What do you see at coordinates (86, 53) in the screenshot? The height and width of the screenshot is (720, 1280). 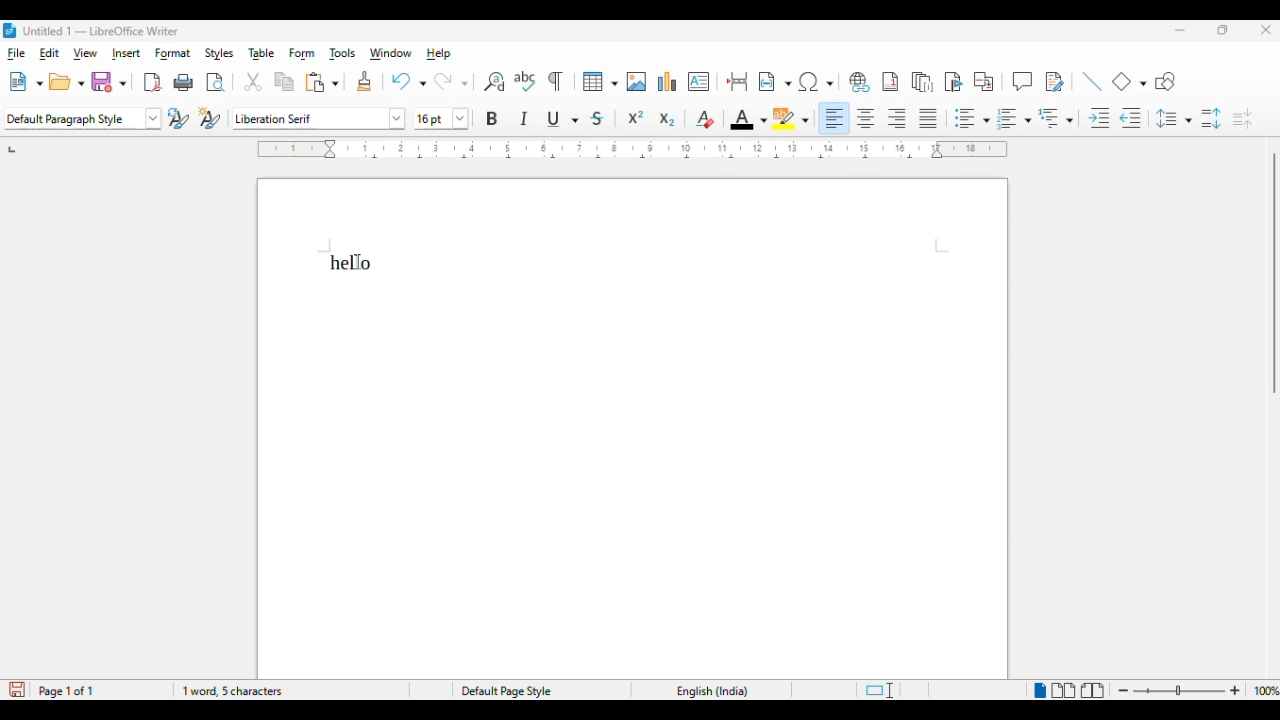 I see `view` at bounding box center [86, 53].